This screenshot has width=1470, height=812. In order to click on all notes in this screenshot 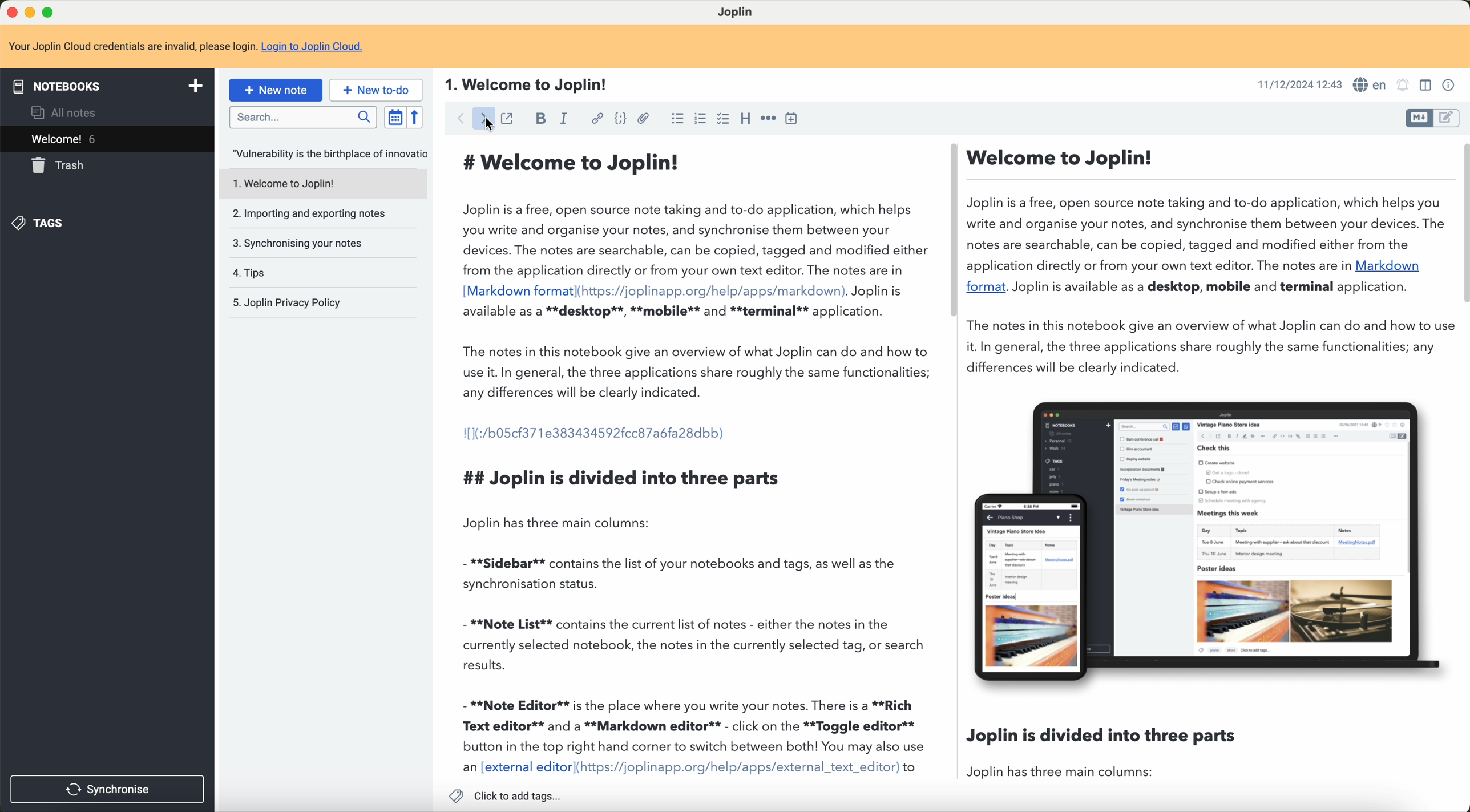, I will do `click(68, 112)`.